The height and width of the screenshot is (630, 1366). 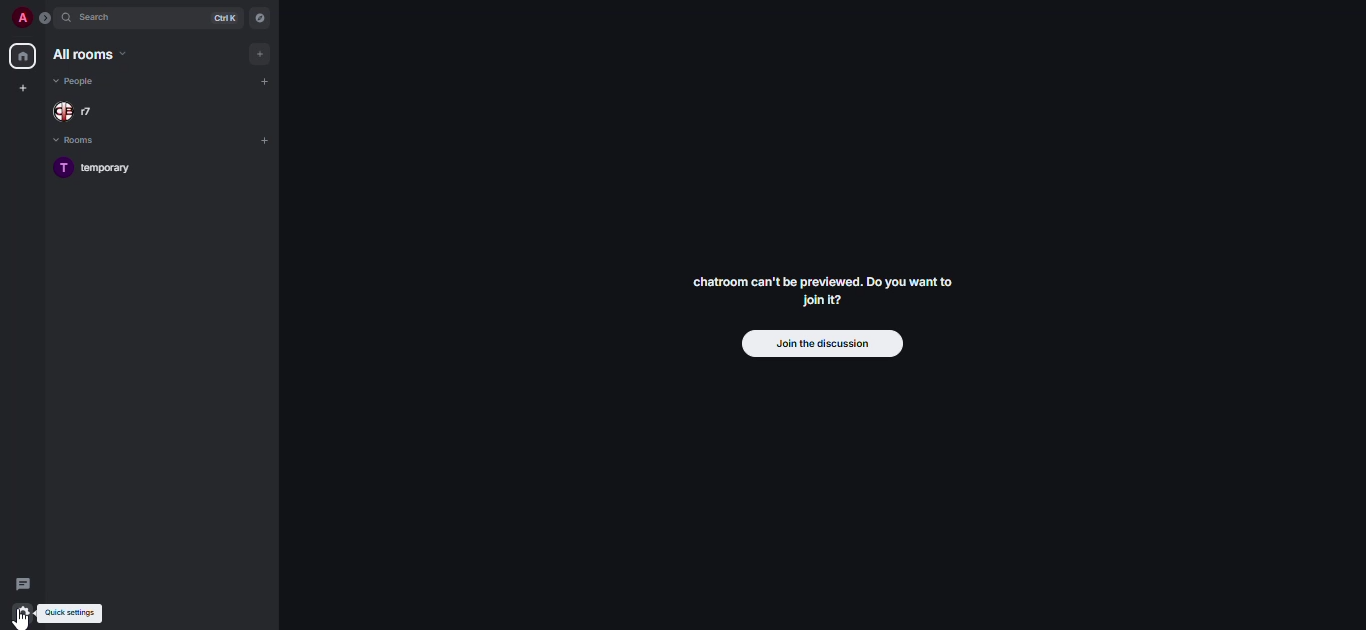 What do you see at coordinates (22, 88) in the screenshot?
I see `create space` at bounding box center [22, 88].